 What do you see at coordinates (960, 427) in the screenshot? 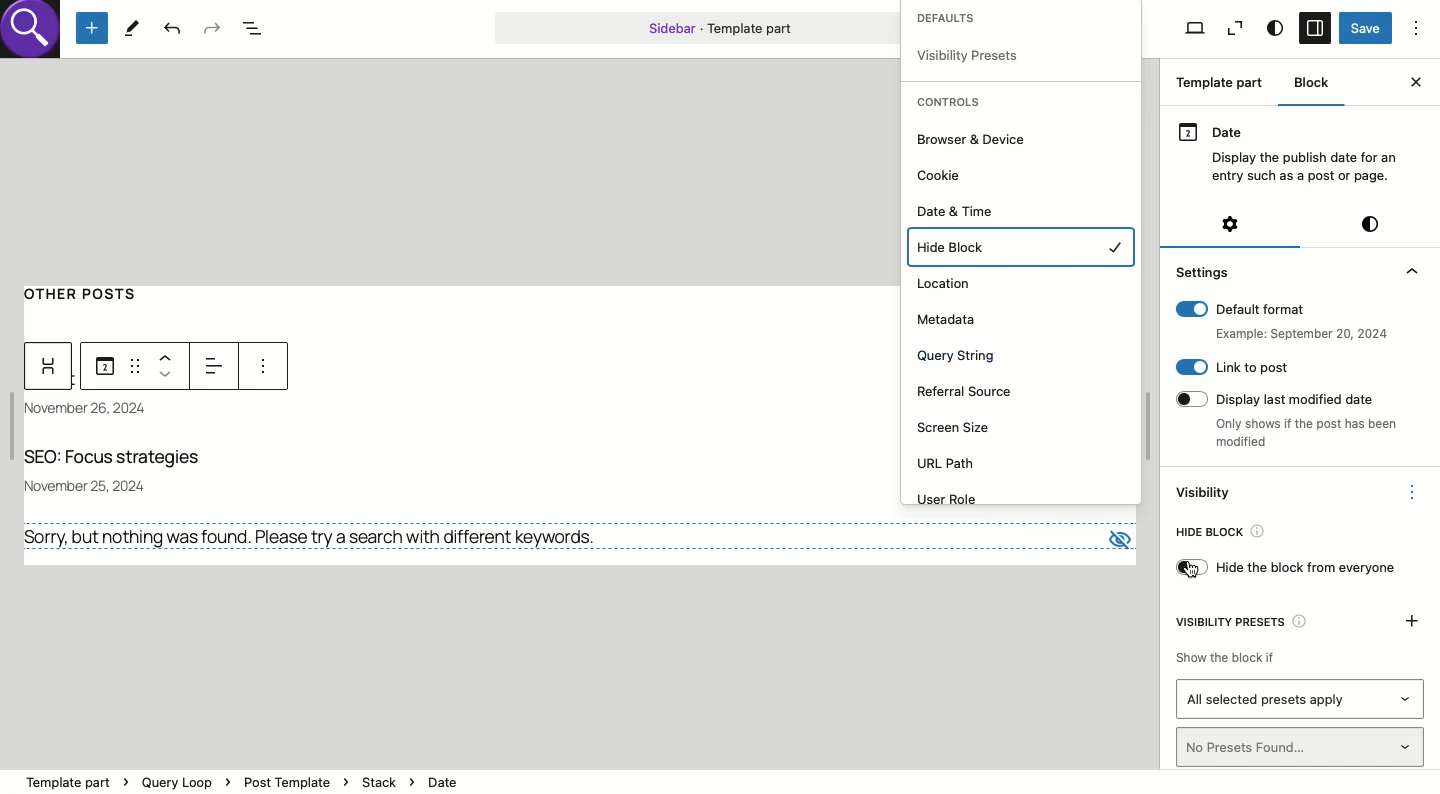
I see `Screen size` at bounding box center [960, 427].